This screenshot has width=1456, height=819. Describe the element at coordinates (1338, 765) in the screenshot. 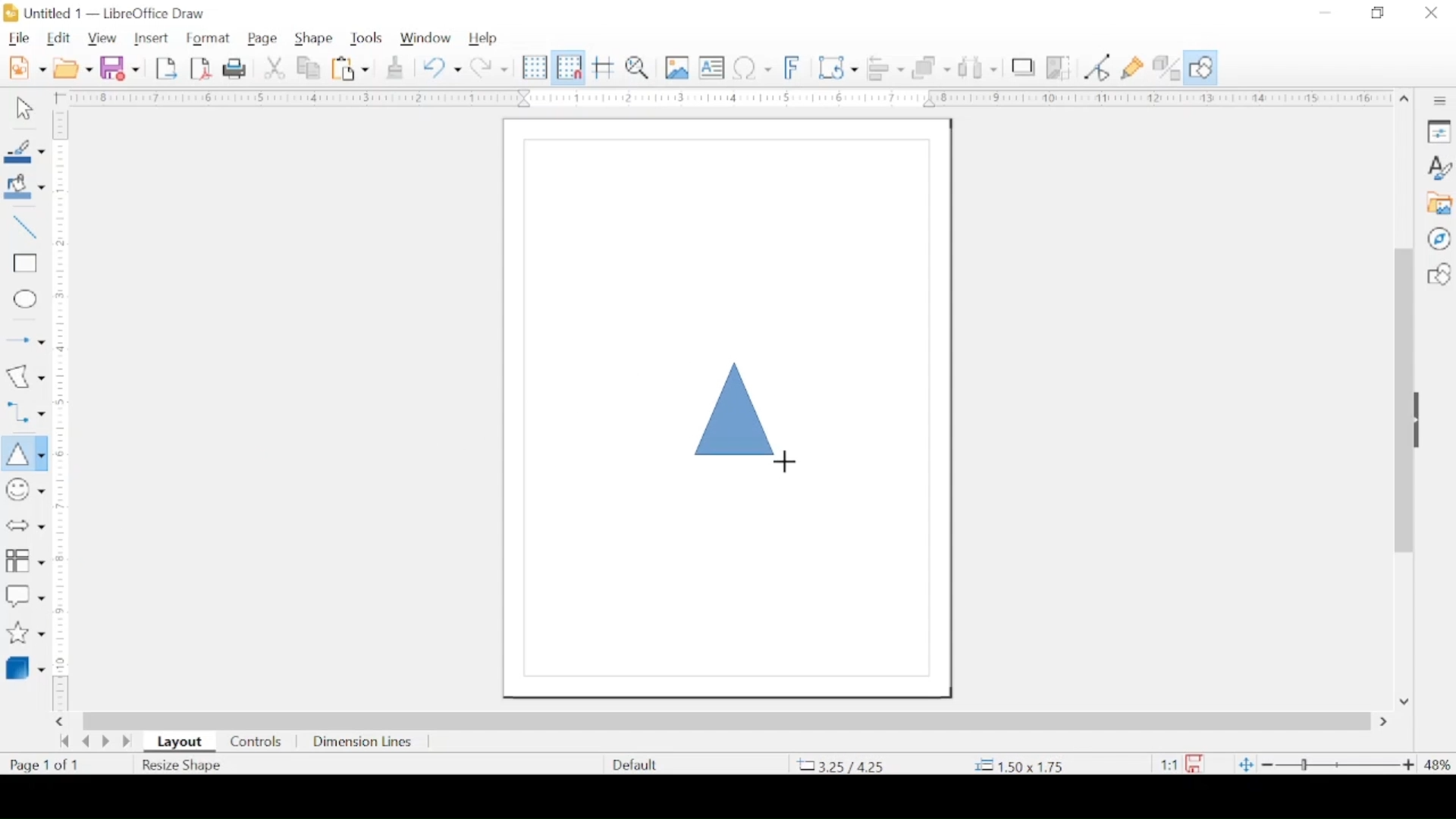

I see `zoom slider` at that location.